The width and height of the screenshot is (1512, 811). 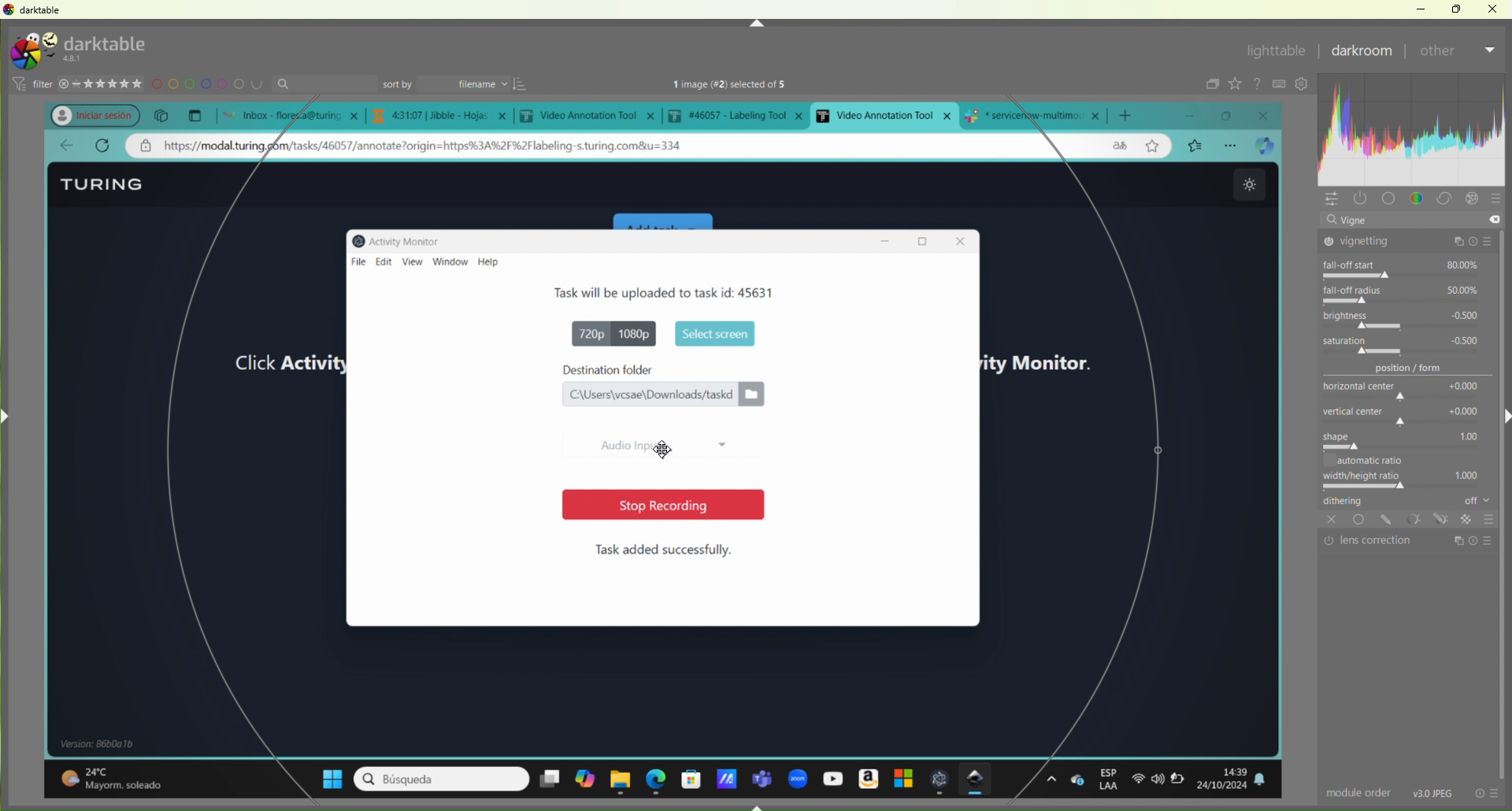 I want to click on 720p, so click(x=584, y=332).